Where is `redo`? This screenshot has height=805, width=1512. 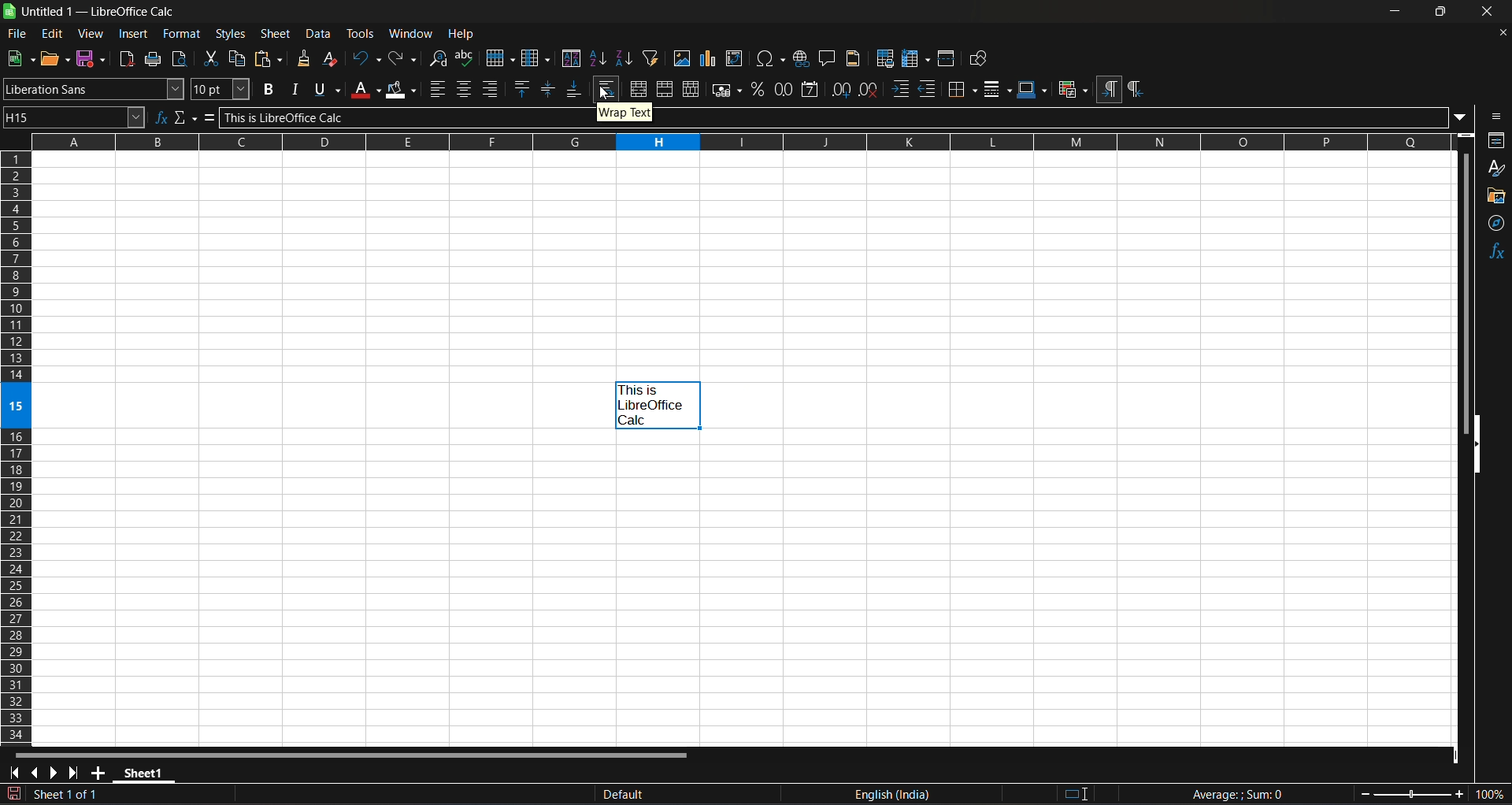
redo is located at coordinates (404, 60).